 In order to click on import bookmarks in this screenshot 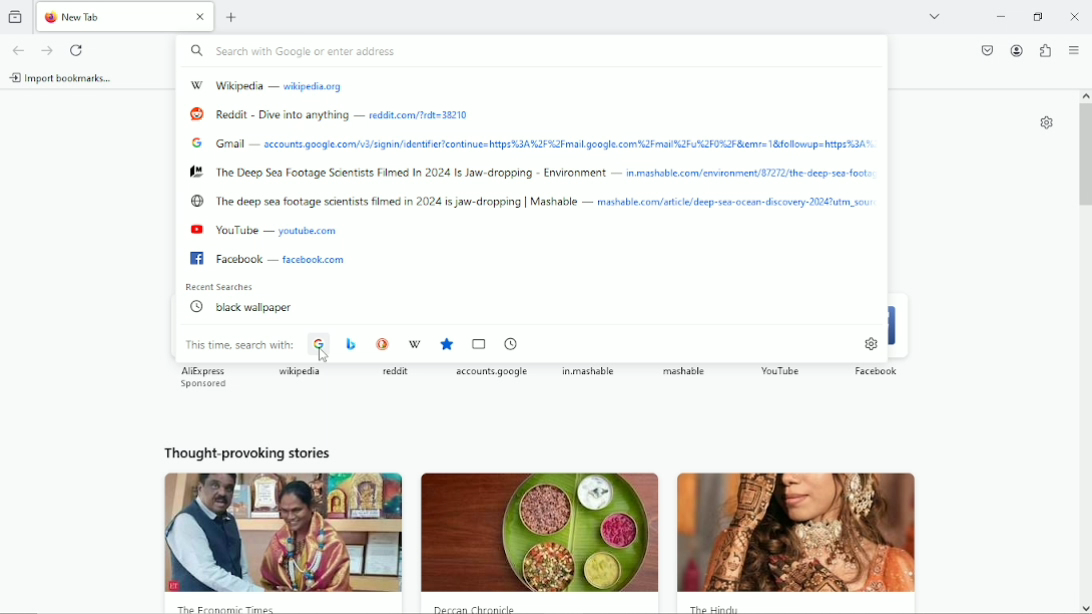, I will do `click(63, 77)`.